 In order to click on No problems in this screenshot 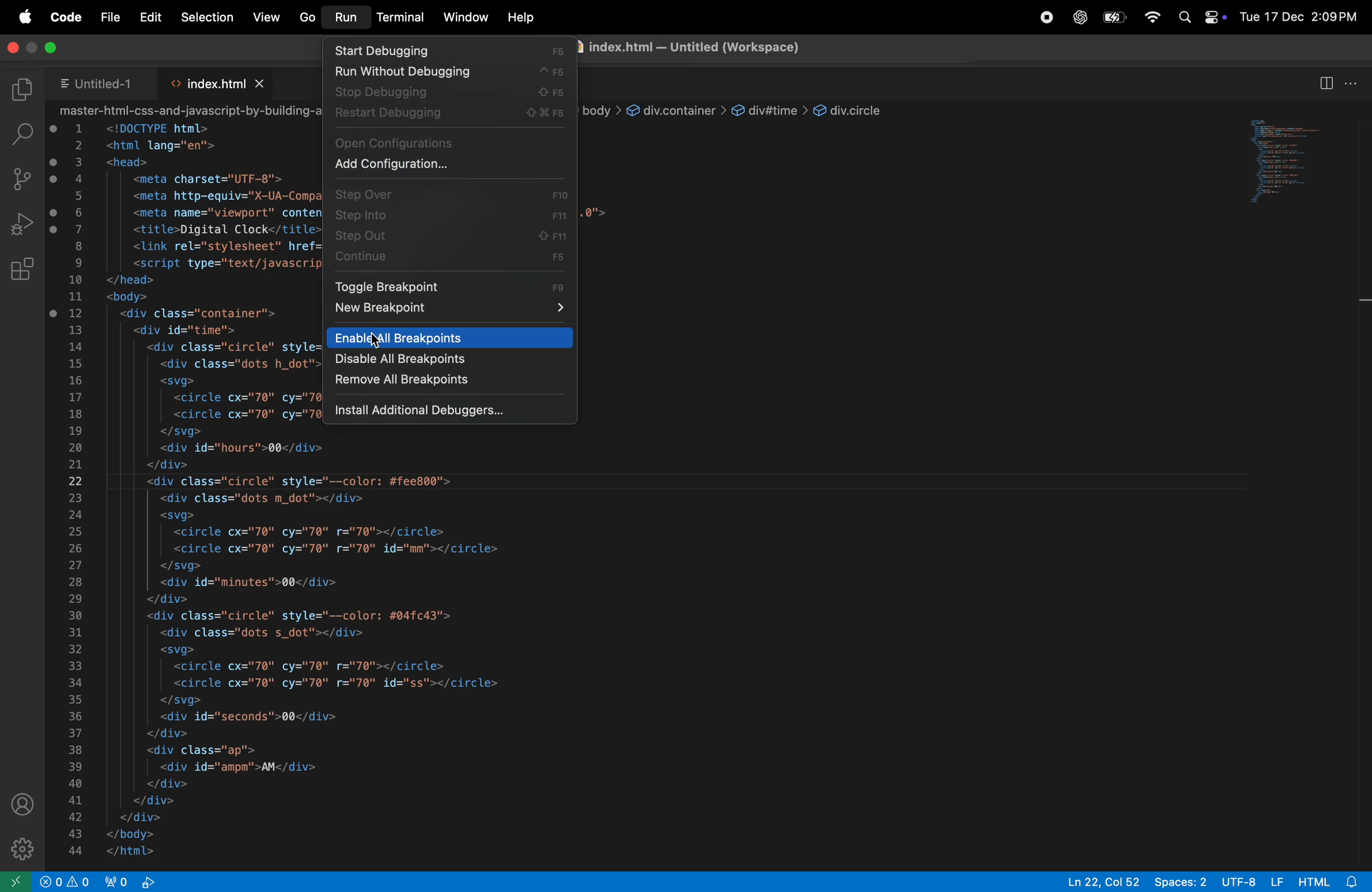, I will do `click(50, 881)`.